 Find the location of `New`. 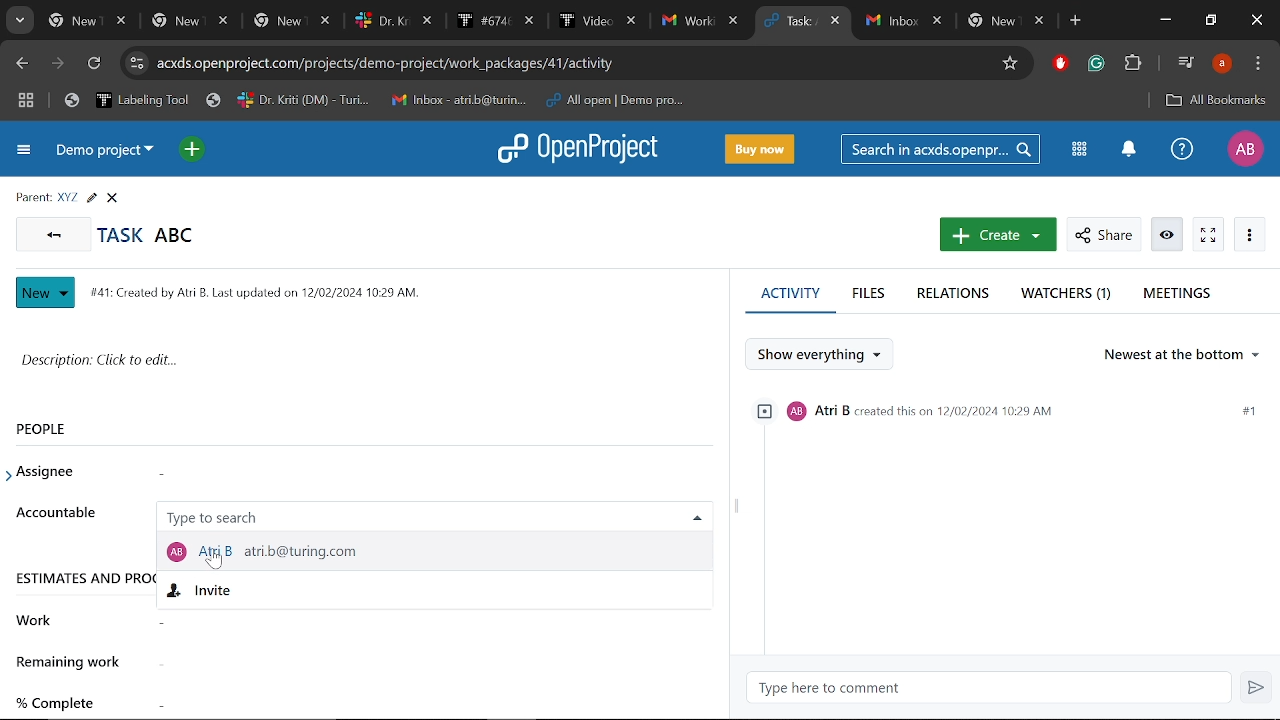

New is located at coordinates (47, 294).